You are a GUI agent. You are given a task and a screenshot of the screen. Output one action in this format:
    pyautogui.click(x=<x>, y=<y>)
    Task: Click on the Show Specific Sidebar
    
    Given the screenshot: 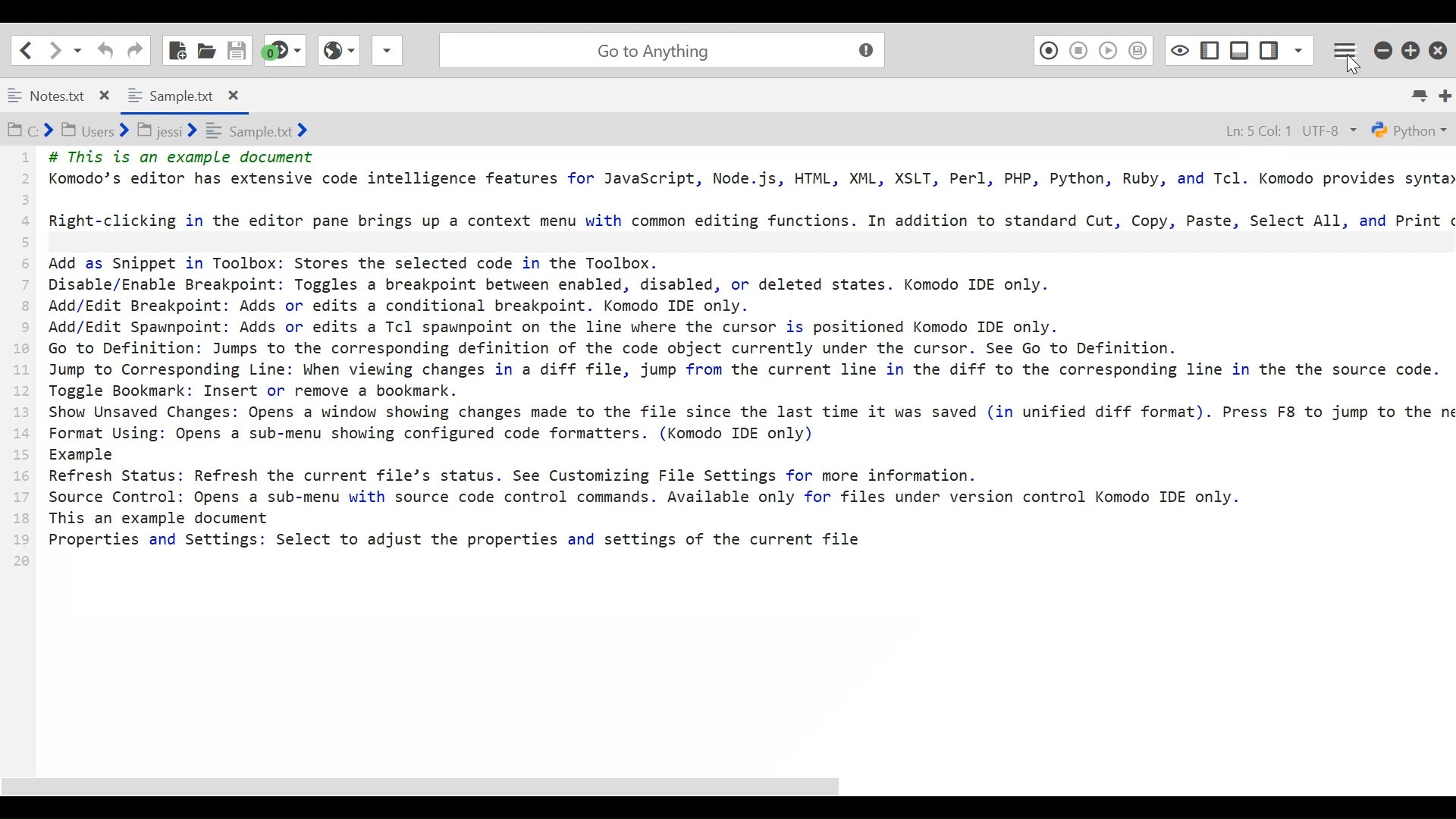 What is the action you would take?
    pyautogui.click(x=1299, y=49)
    